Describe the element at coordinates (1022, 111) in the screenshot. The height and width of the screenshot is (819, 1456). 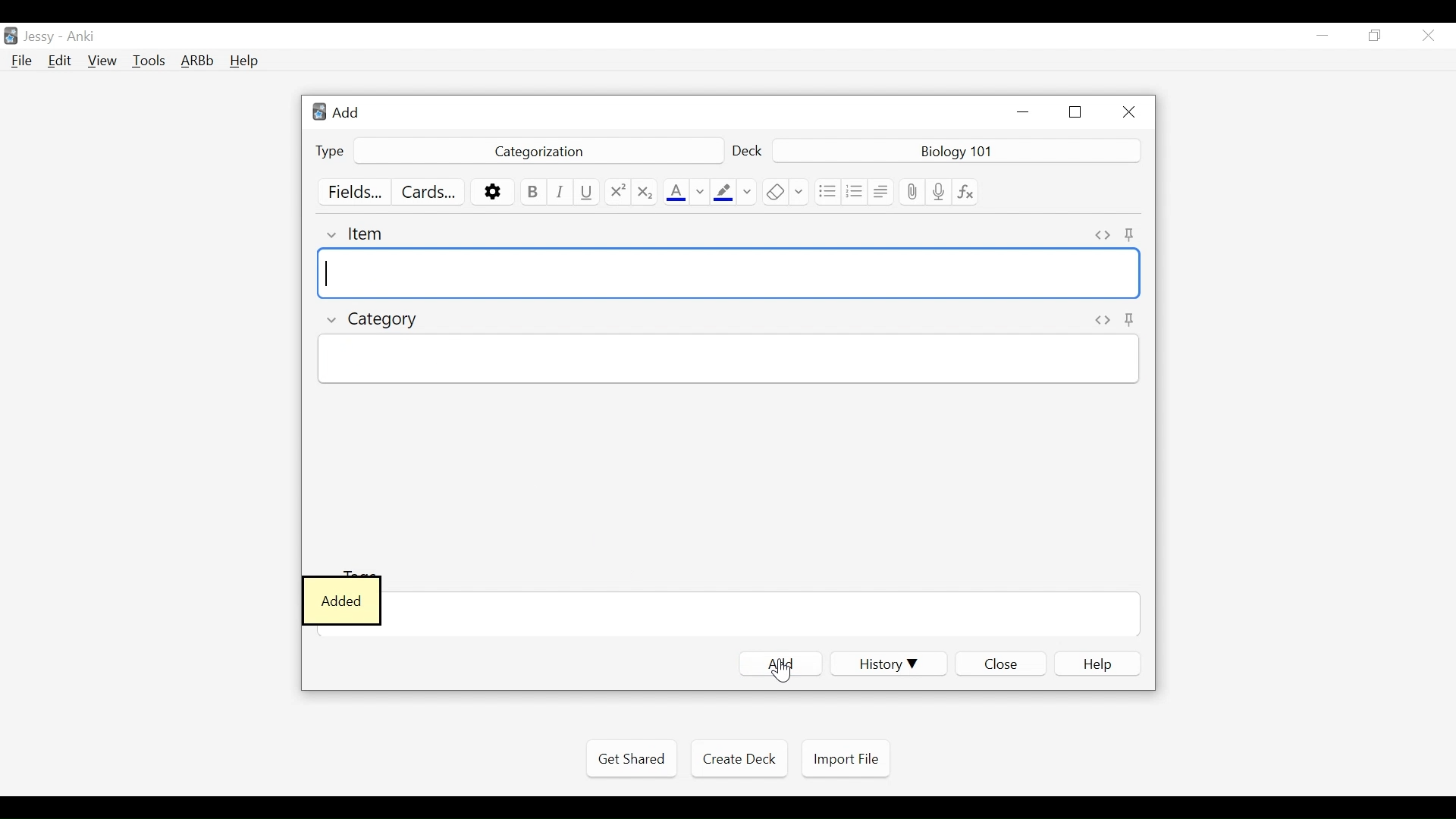
I see `minimize` at that location.